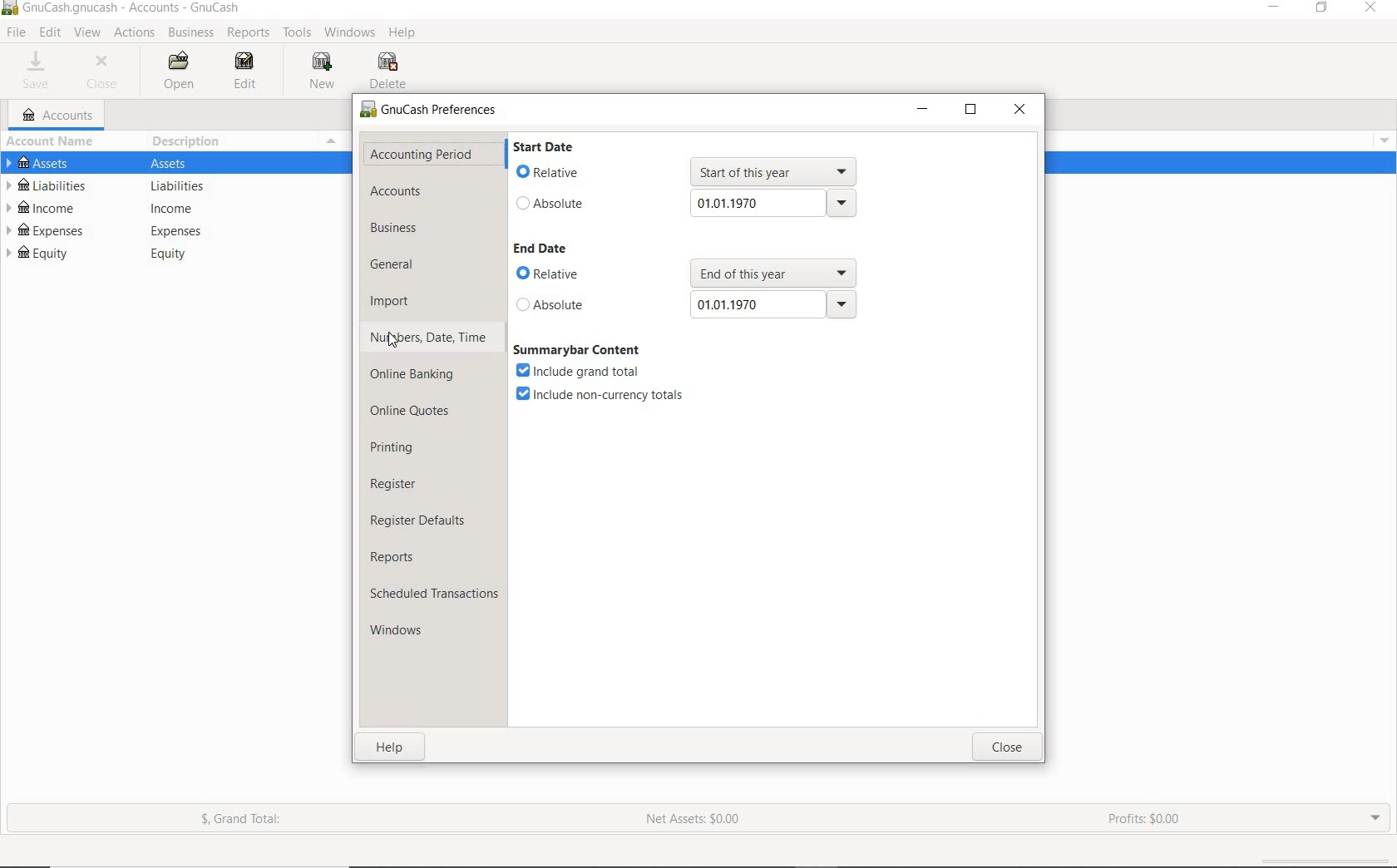  Describe the element at coordinates (411, 413) in the screenshot. I see `online quotes` at that location.